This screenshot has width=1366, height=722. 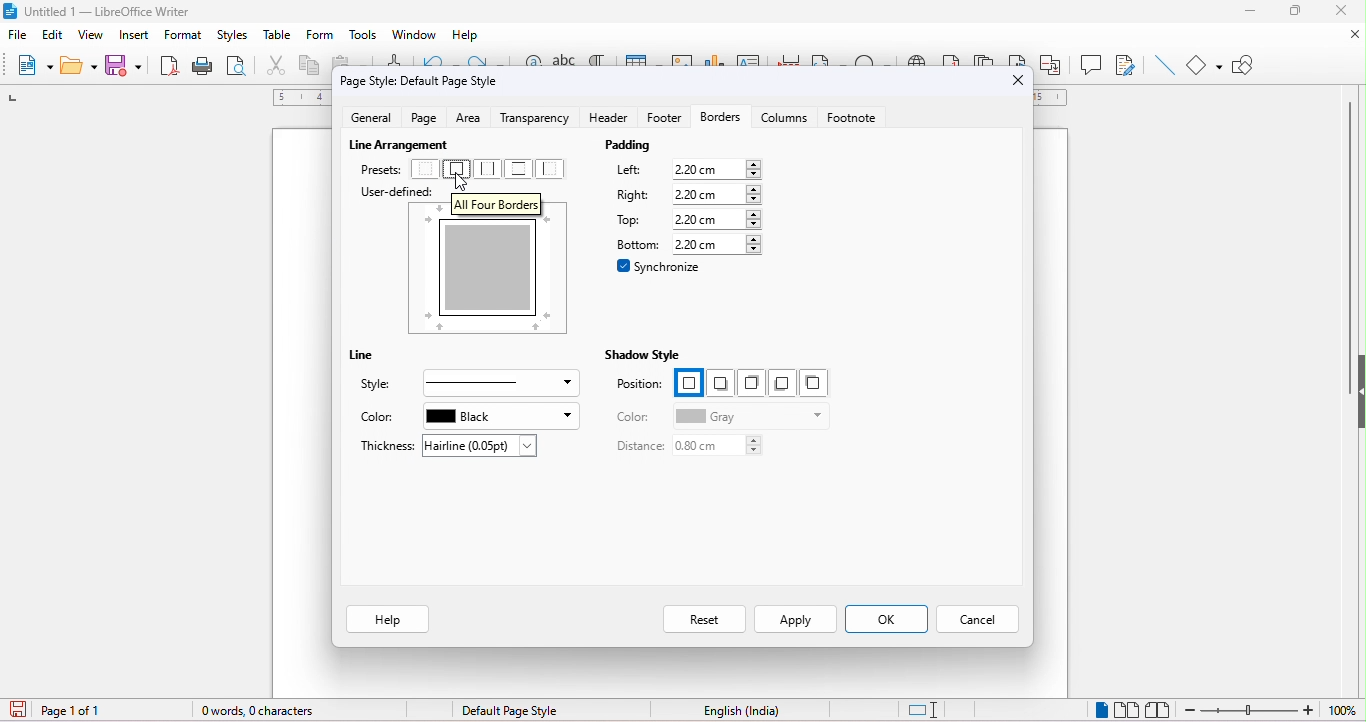 What do you see at coordinates (1098, 708) in the screenshot?
I see `single page view` at bounding box center [1098, 708].